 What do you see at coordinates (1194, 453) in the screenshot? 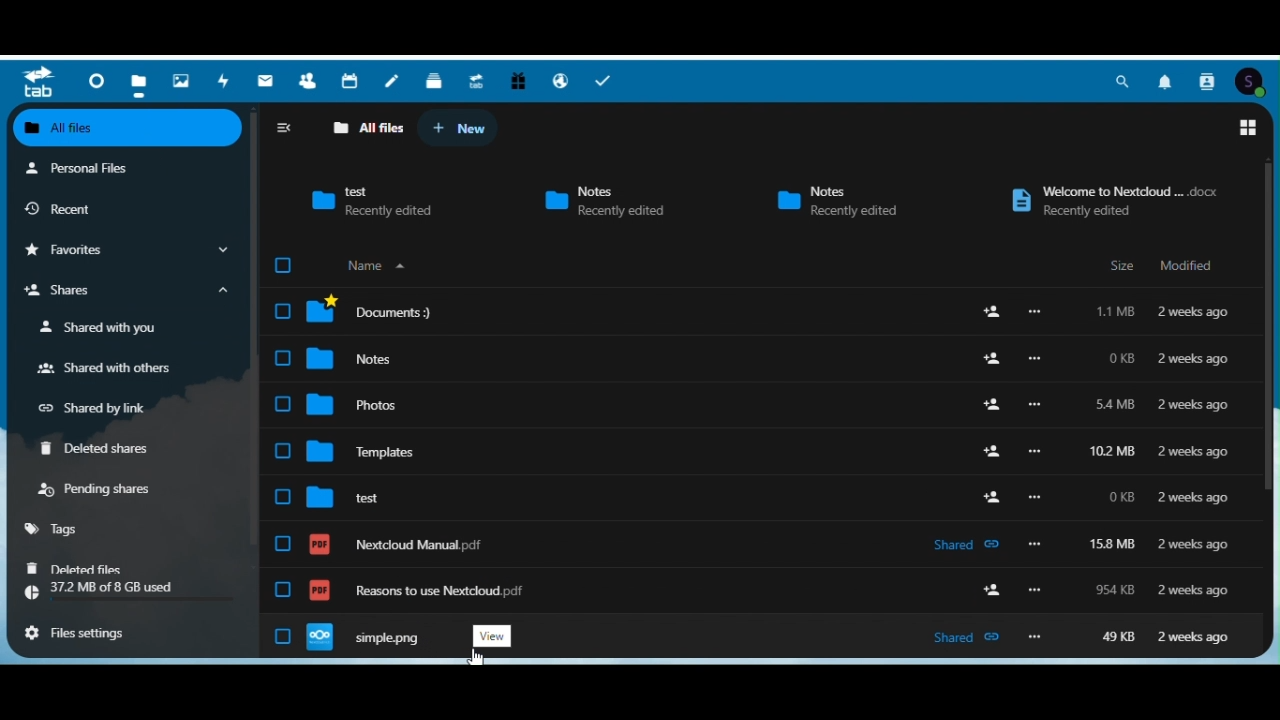
I see `modified` at bounding box center [1194, 453].